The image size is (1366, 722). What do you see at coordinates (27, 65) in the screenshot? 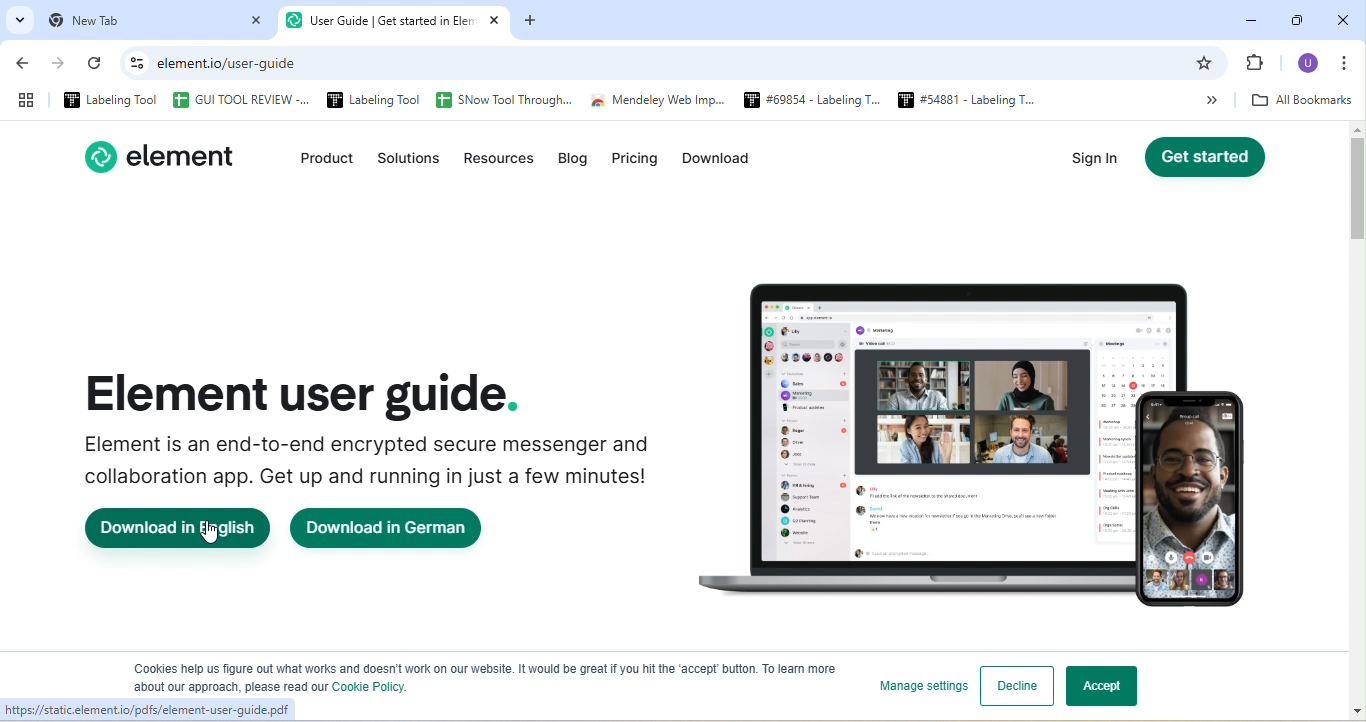
I see `back` at bounding box center [27, 65].